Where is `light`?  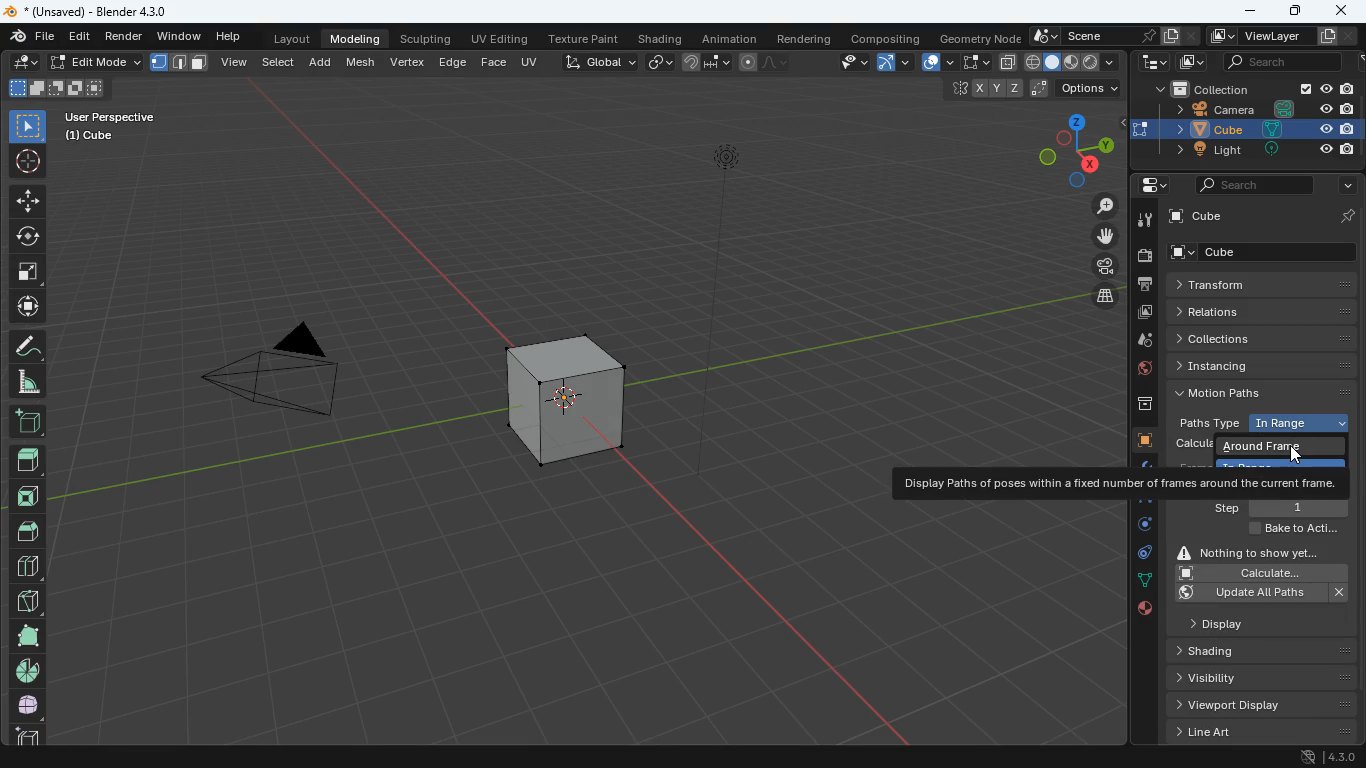 light is located at coordinates (1260, 150).